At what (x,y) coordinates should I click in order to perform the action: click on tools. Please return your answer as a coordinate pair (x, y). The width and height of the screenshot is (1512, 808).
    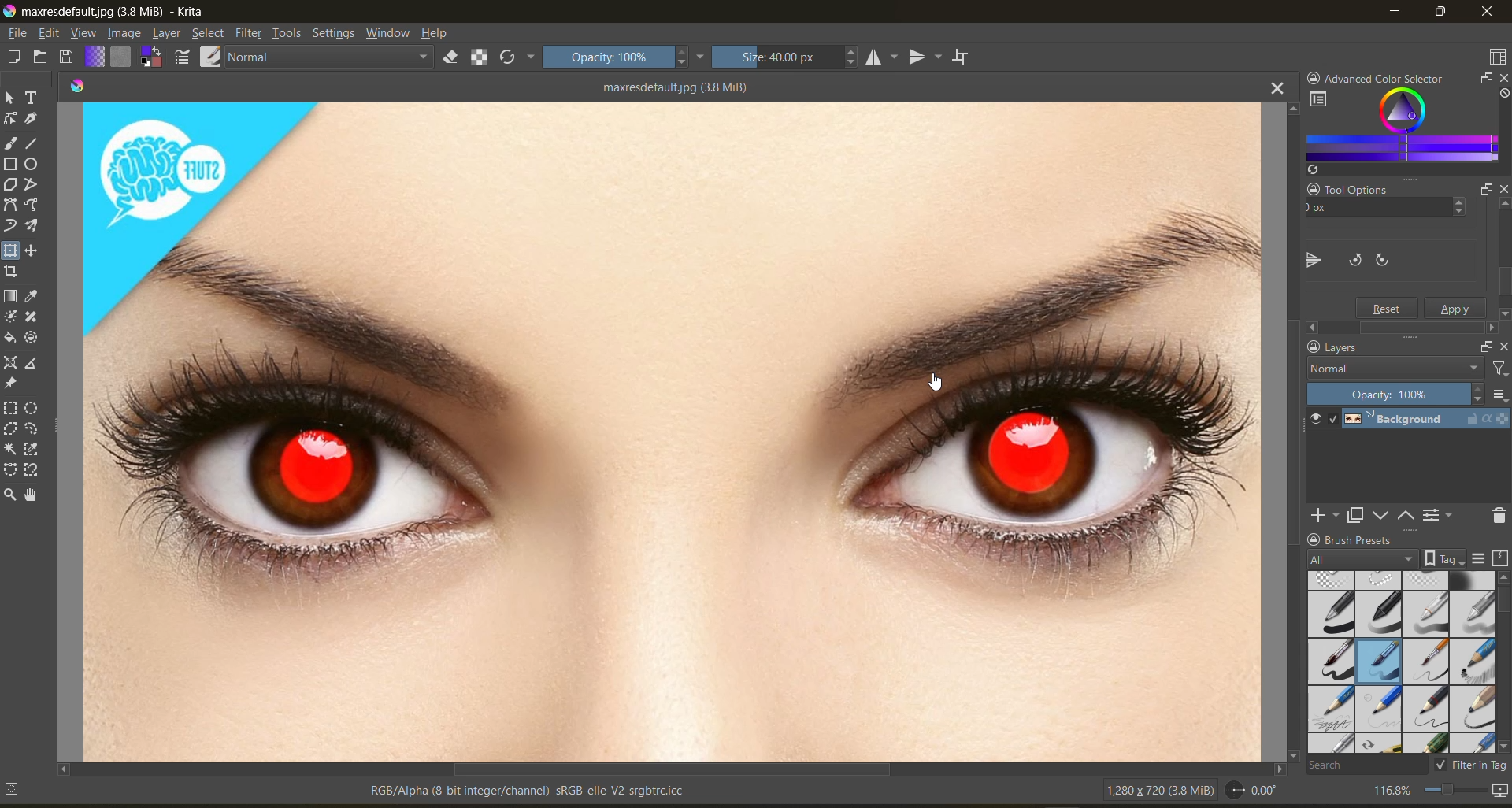
    Looking at the image, I should click on (287, 34).